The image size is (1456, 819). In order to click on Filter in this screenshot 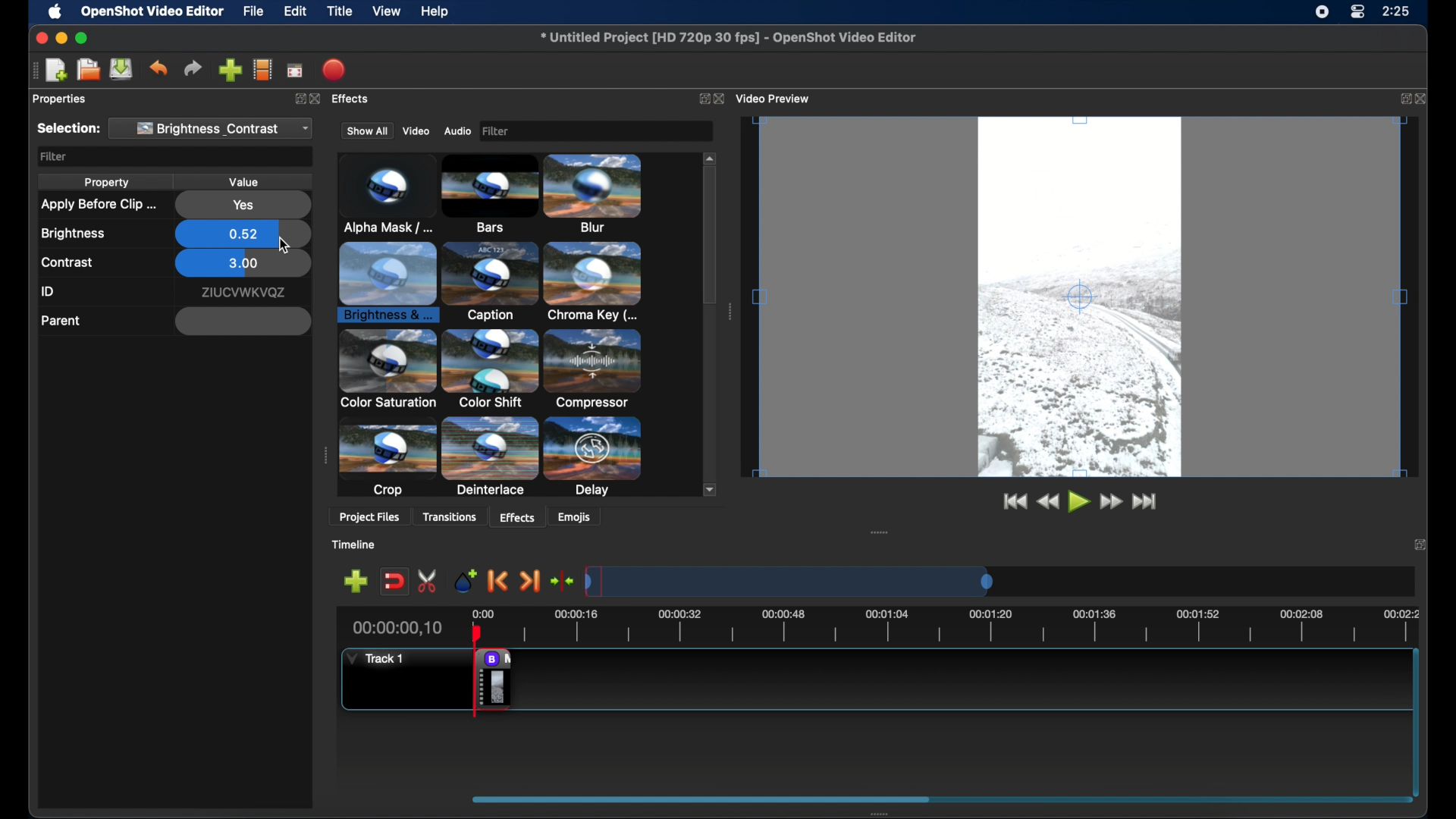, I will do `click(592, 130)`.